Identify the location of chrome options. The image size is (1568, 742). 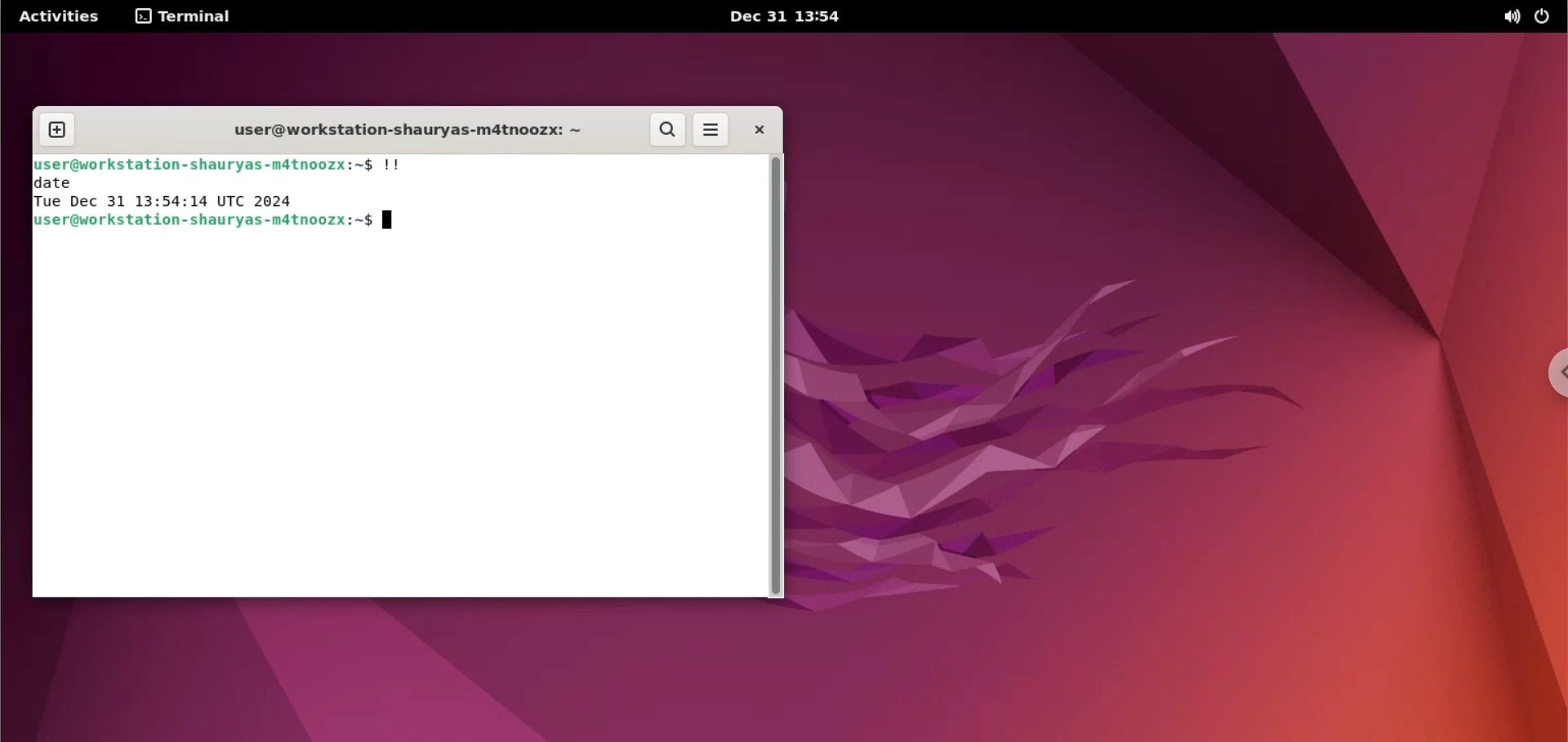
(1552, 374).